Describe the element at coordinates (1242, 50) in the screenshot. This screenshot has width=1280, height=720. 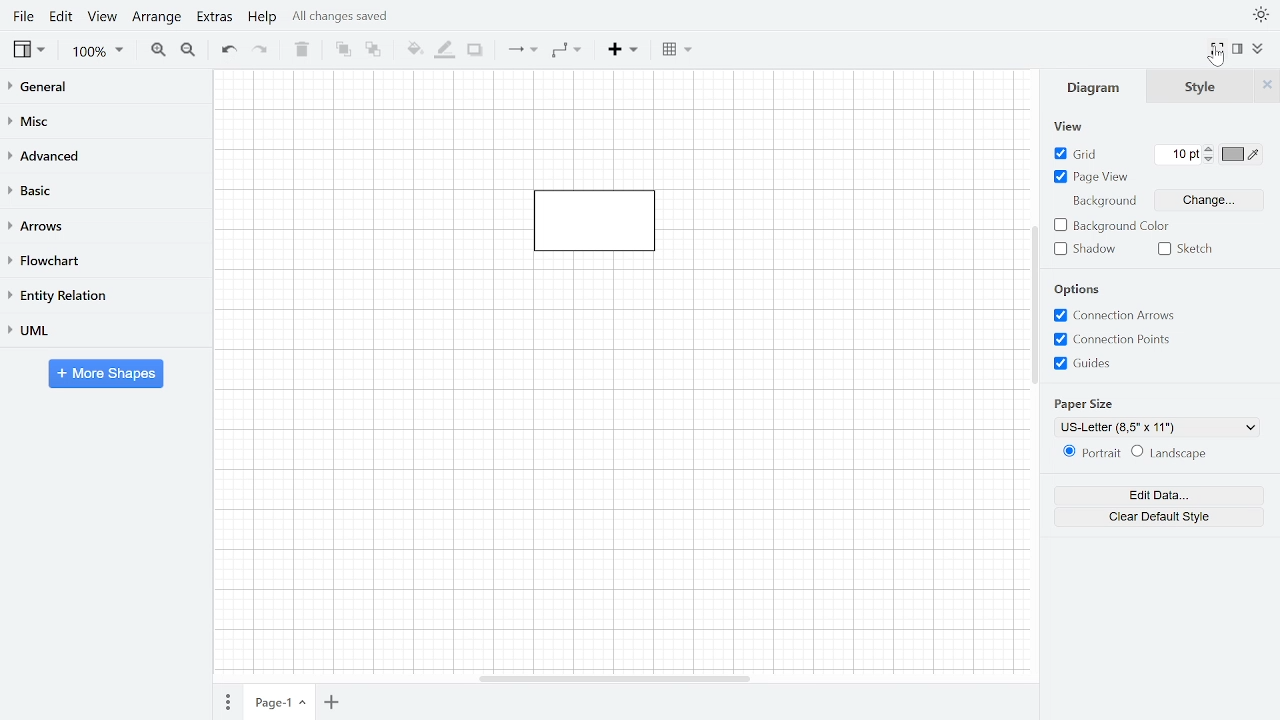
I see `Format` at that location.